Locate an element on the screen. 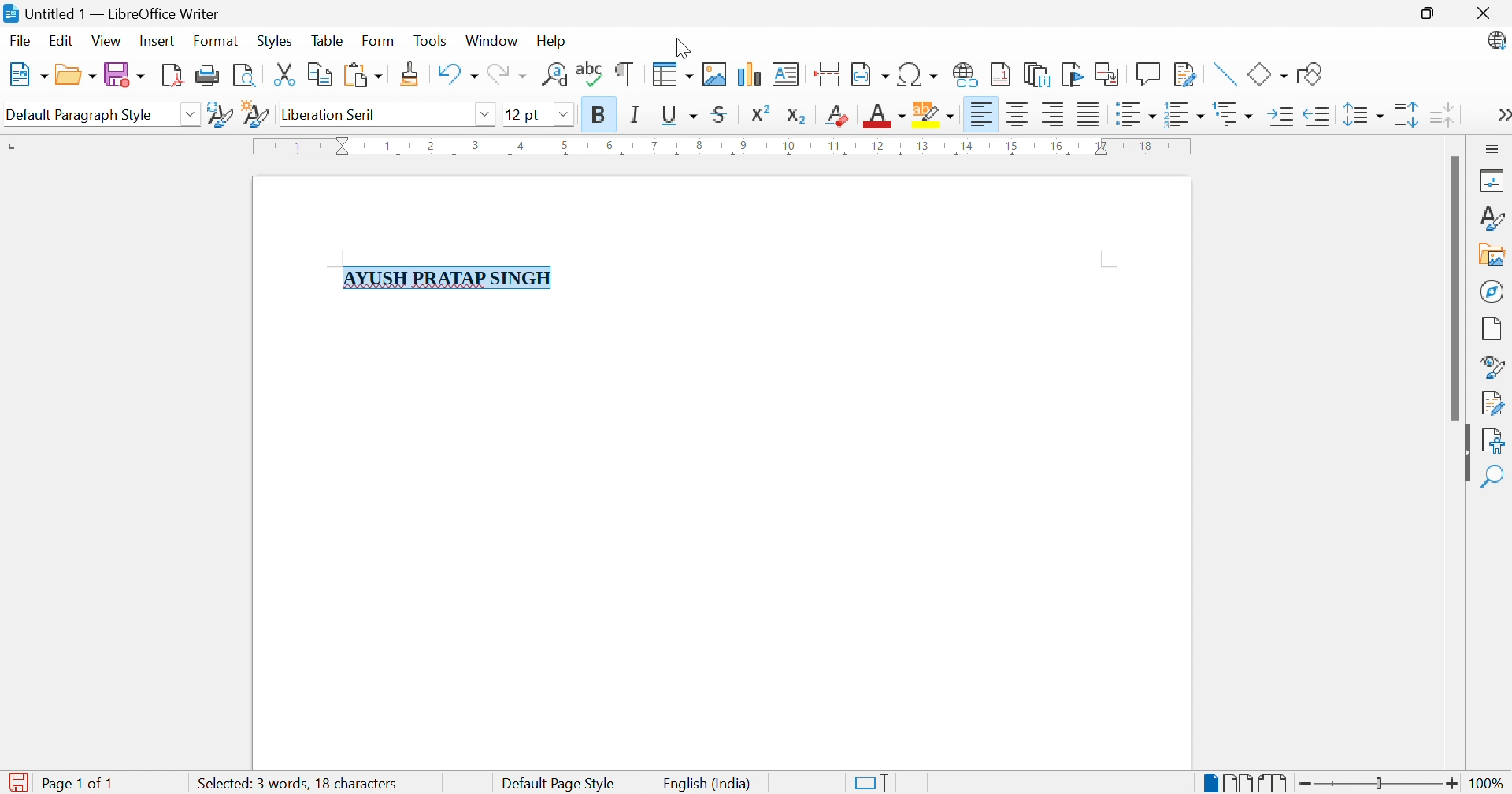  Form is located at coordinates (379, 39).